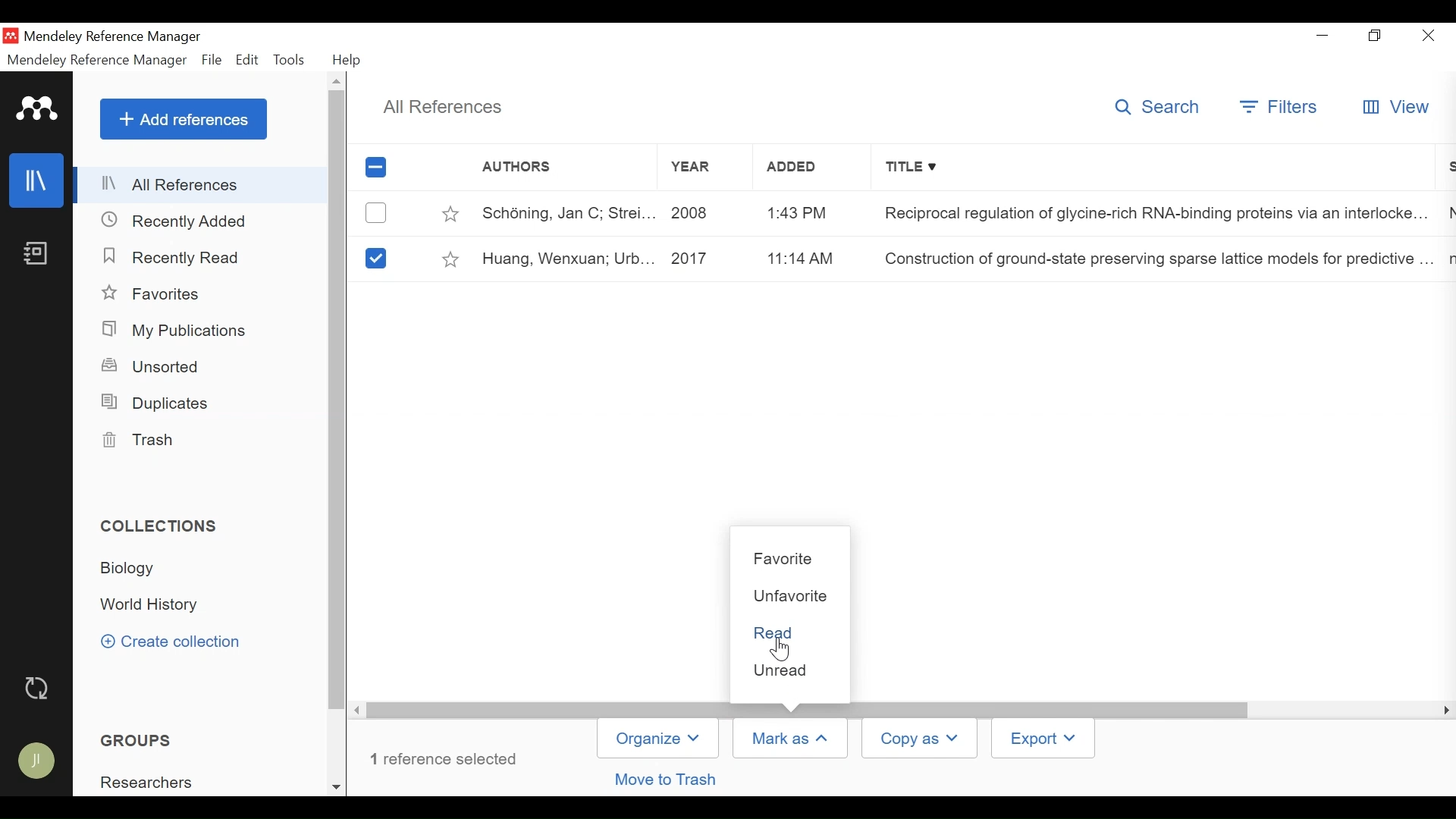 This screenshot has height=819, width=1456. What do you see at coordinates (440, 107) in the screenshot?
I see `All References` at bounding box center [440, 107].